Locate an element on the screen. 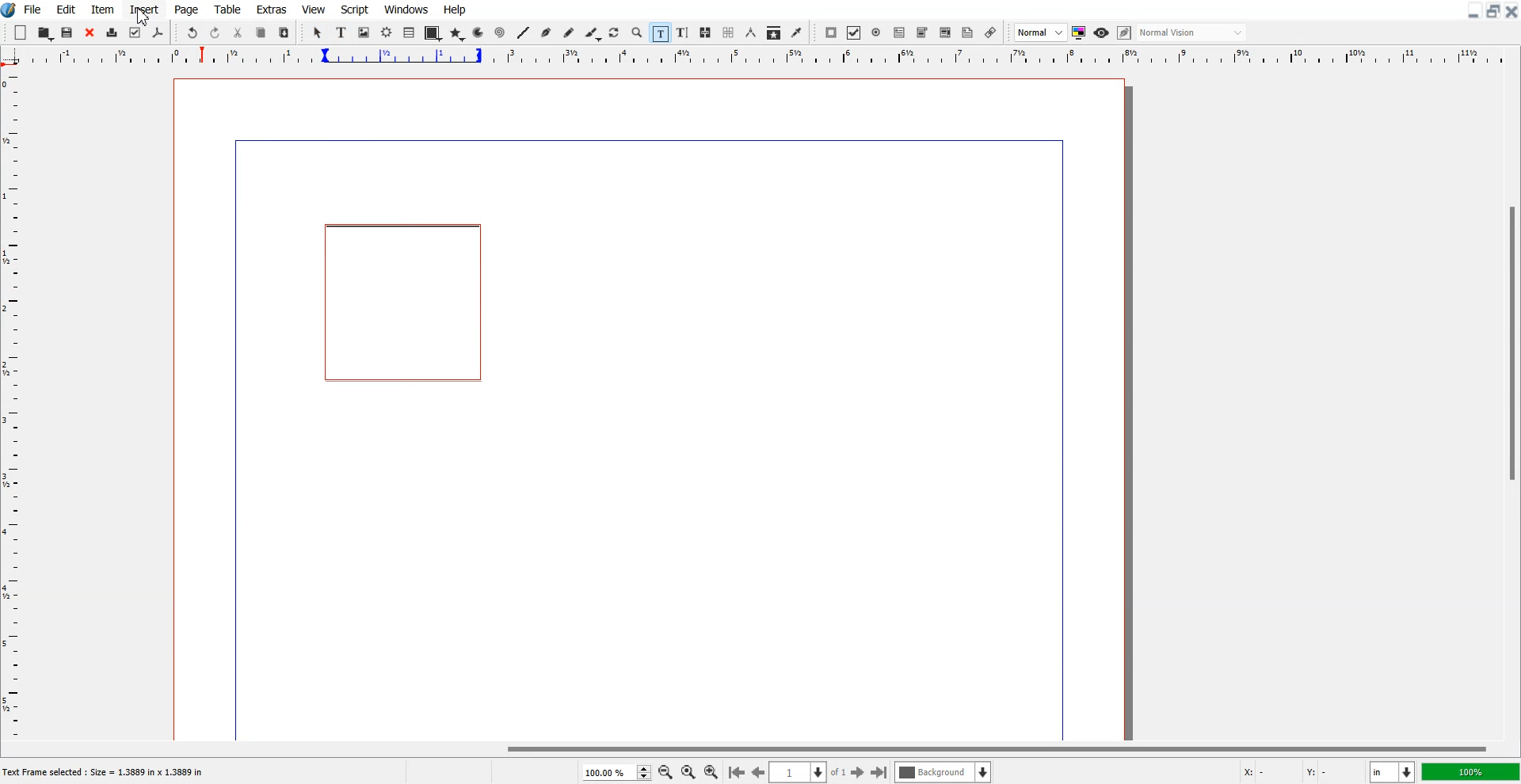  Arc is located at coordinates (479, 32).